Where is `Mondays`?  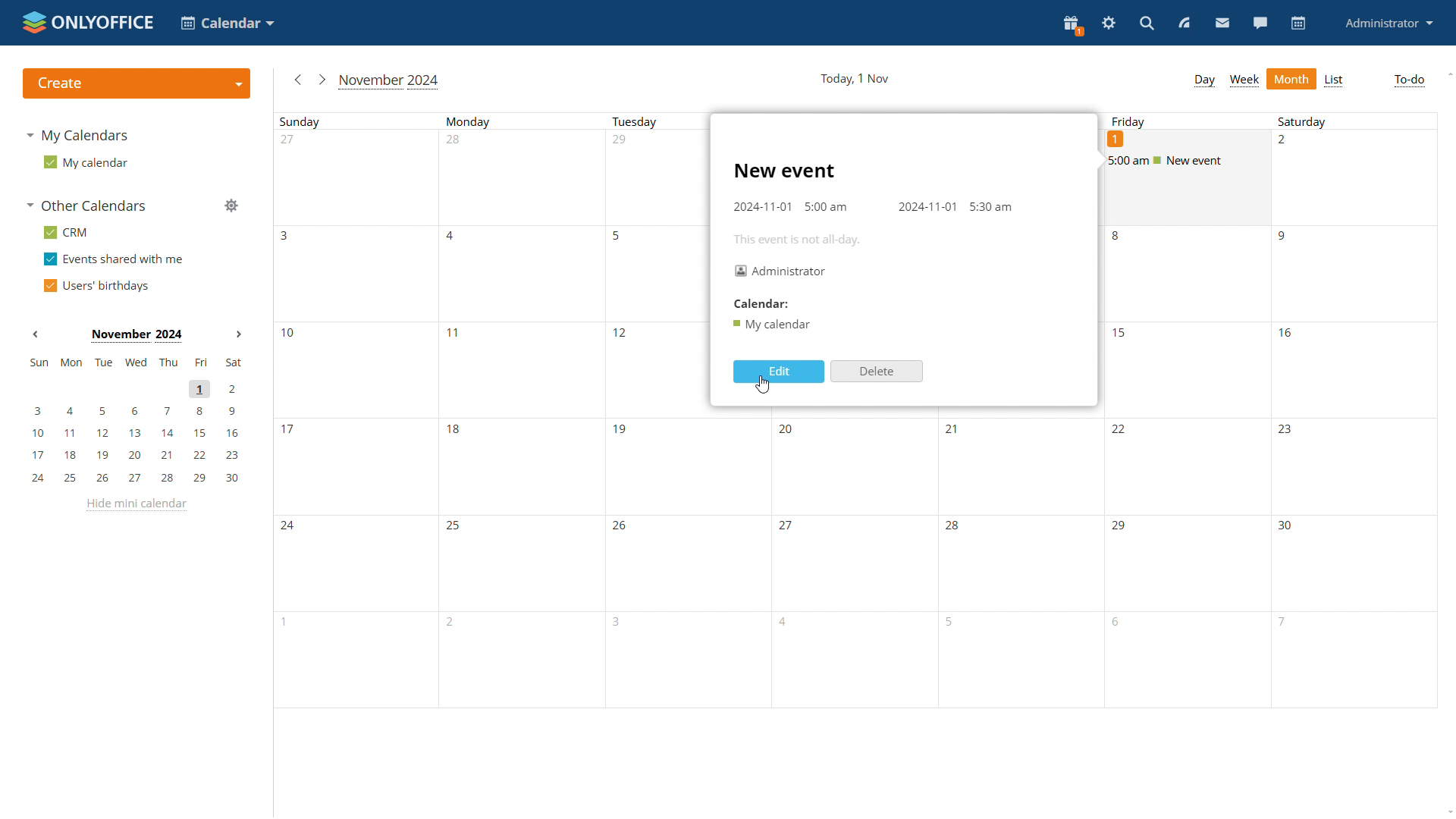 Mondays is located at coordinates (521, 411).